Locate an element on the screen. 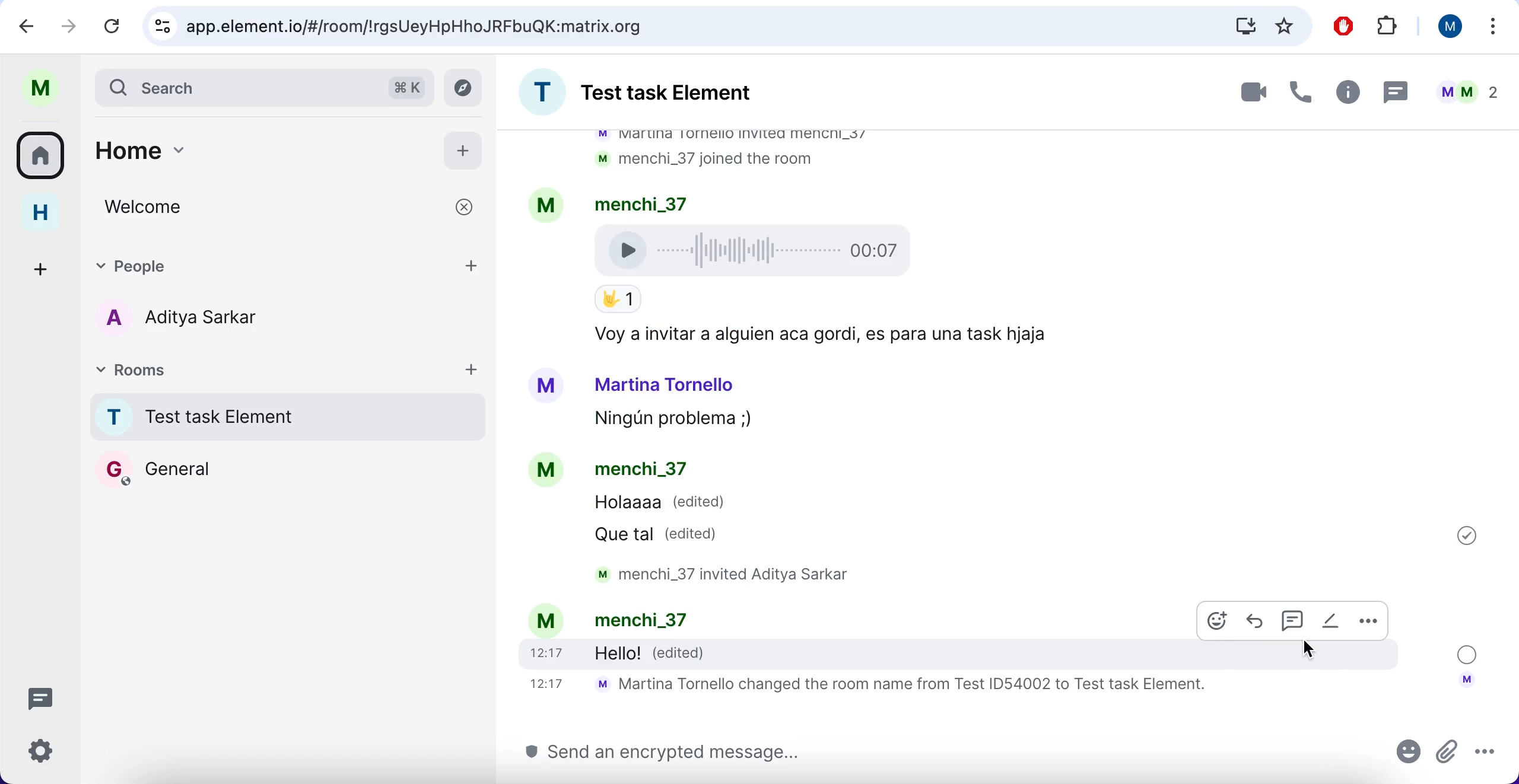 The width and height of the screenshot is (1519, 784). welcome is located at coordinates (287, 209).